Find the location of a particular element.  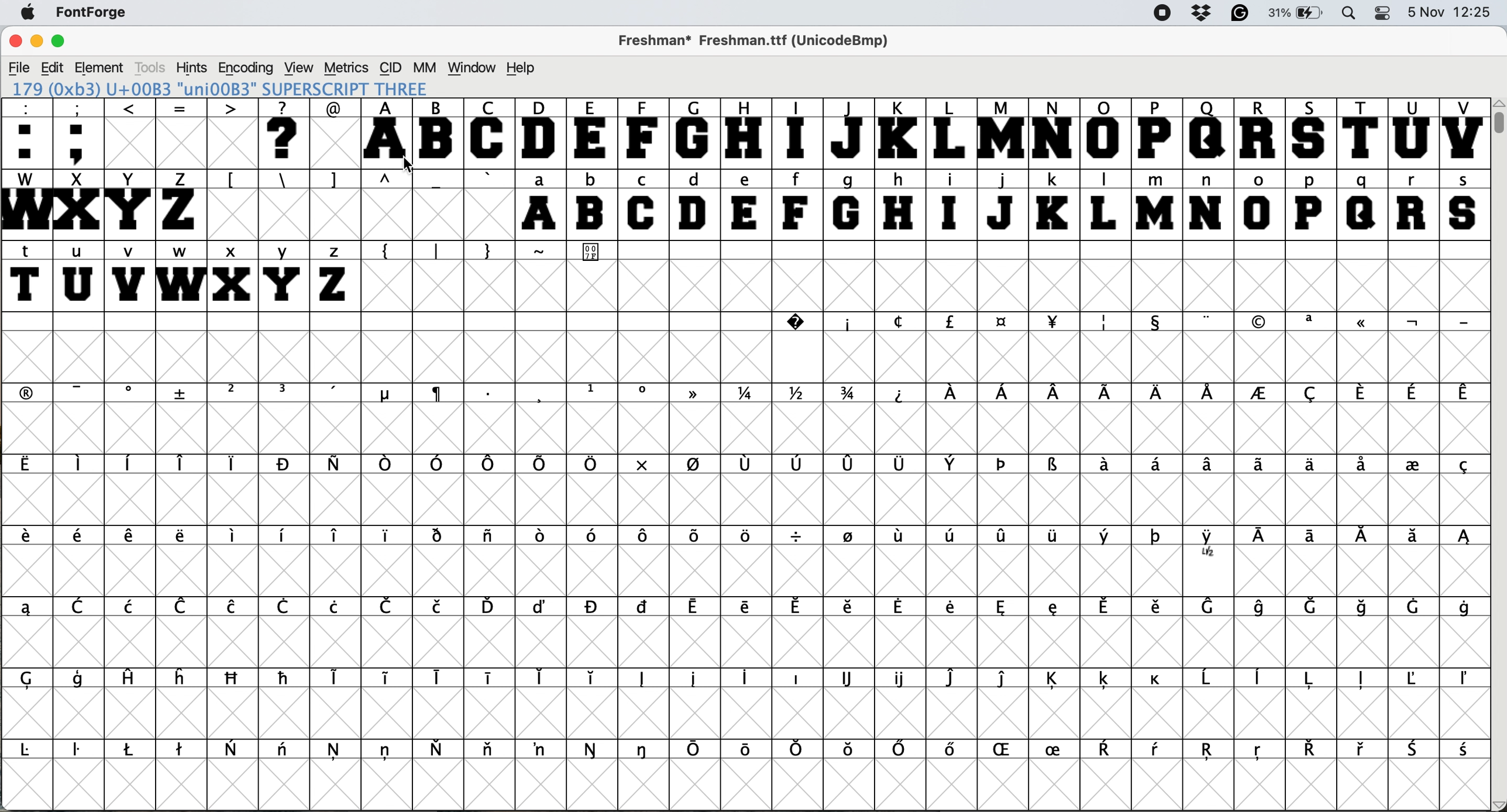

j is located at coordinates (1003, 203).